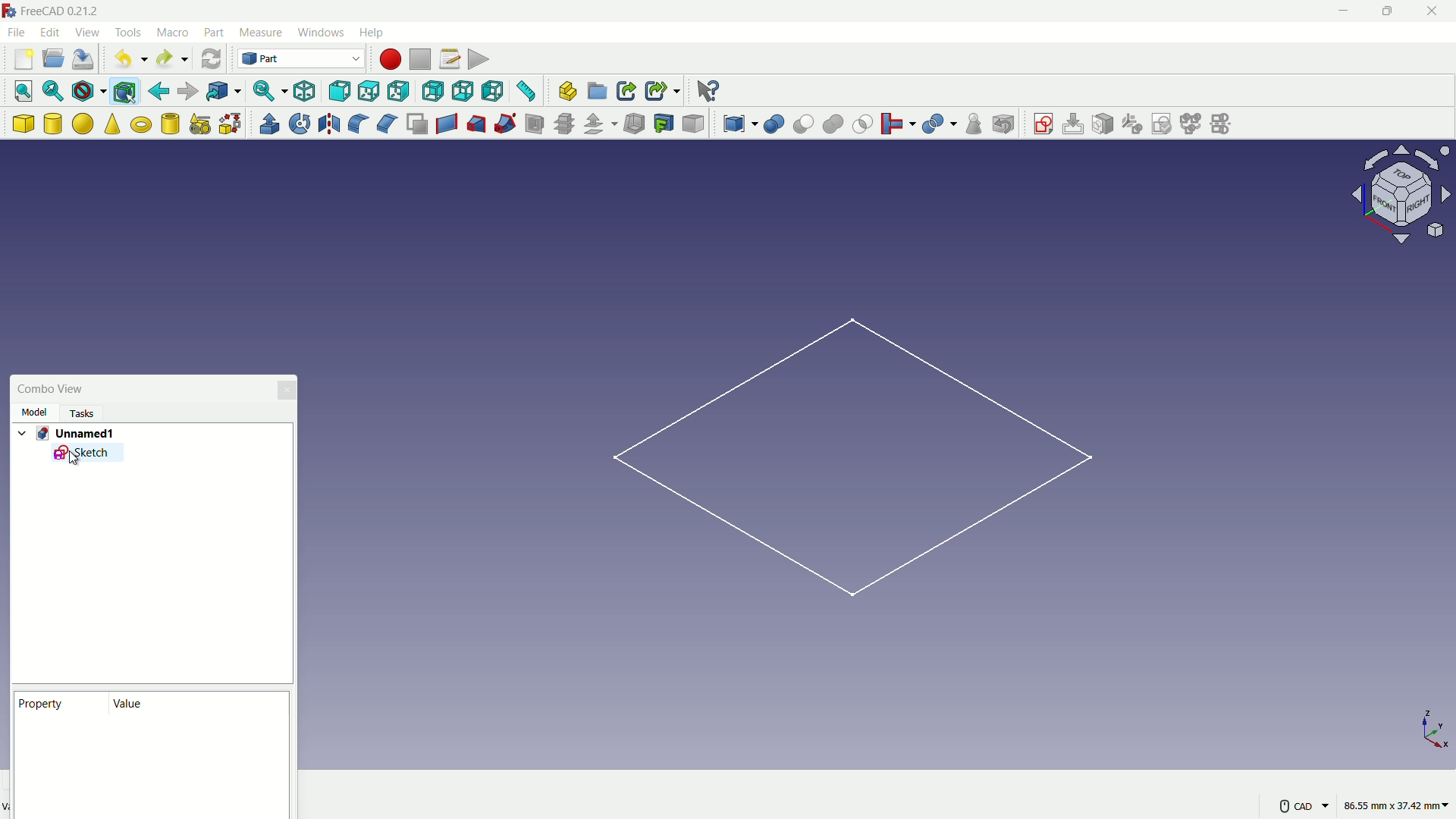 The image size is (1456, 819). I want to click on logo, so click(11, 11).